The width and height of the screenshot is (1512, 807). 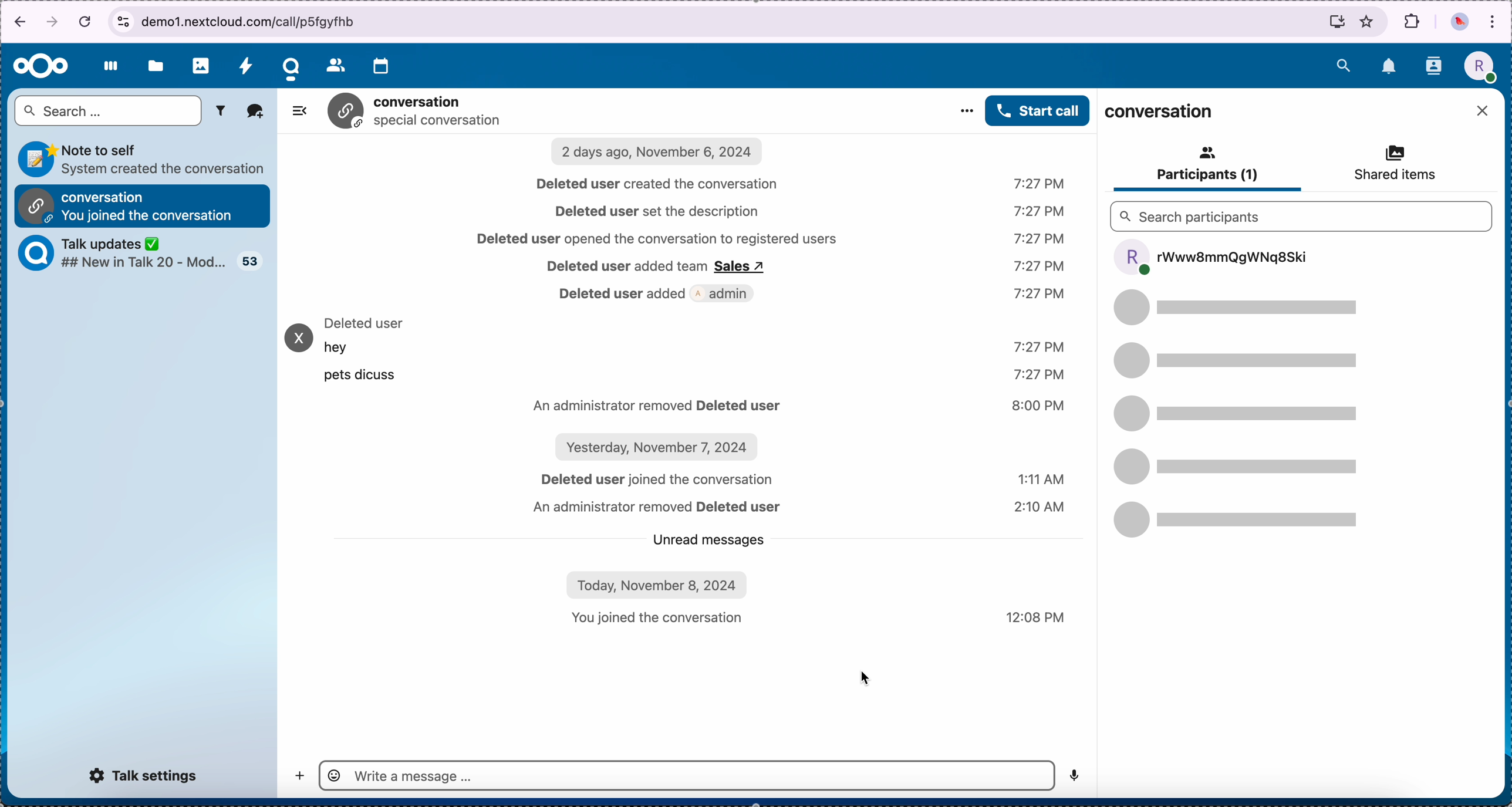 I want to click on talk updates, so click(x=248, y=261).